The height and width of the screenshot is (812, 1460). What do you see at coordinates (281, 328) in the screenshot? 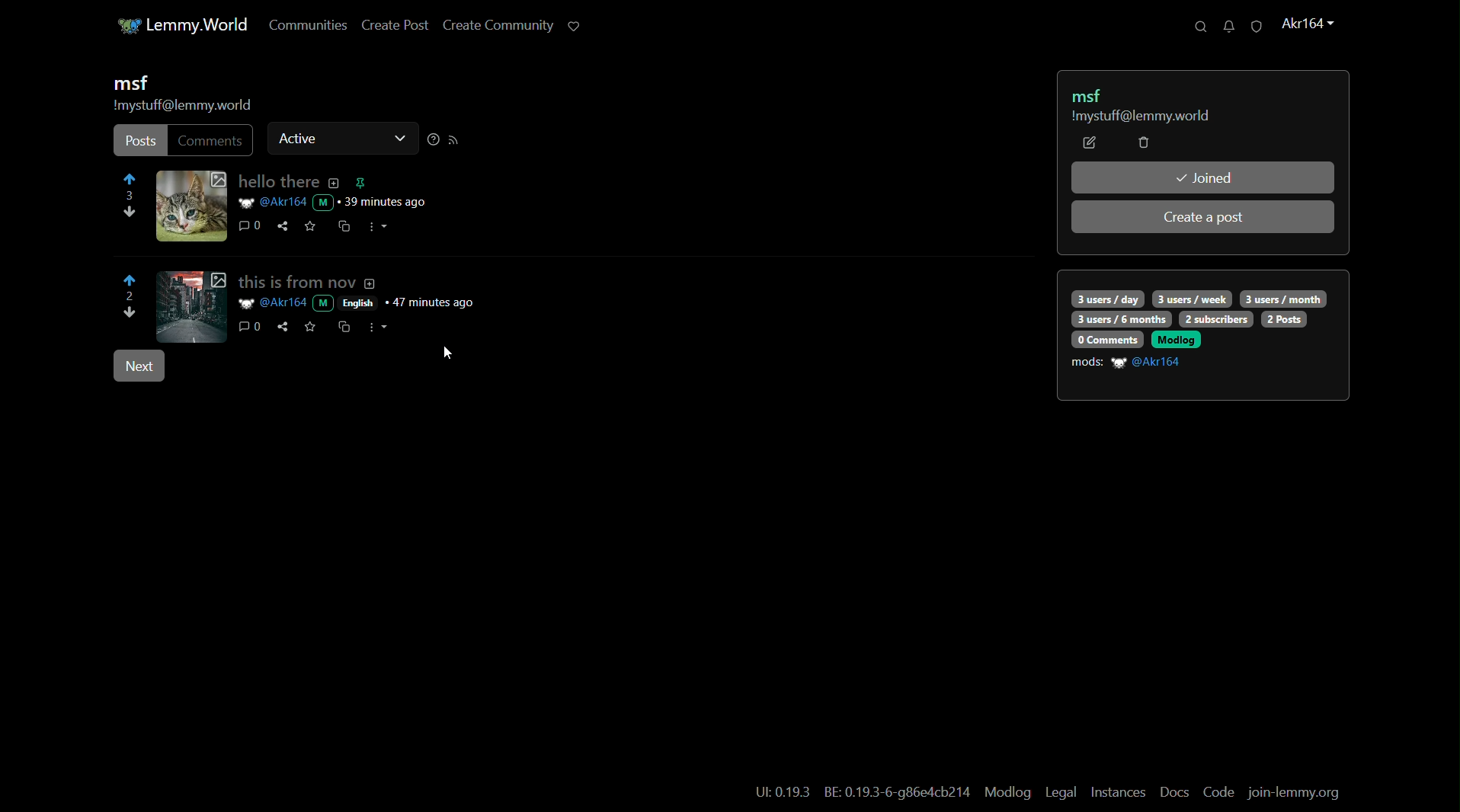
I see `share` at bounding box center [281, 328].